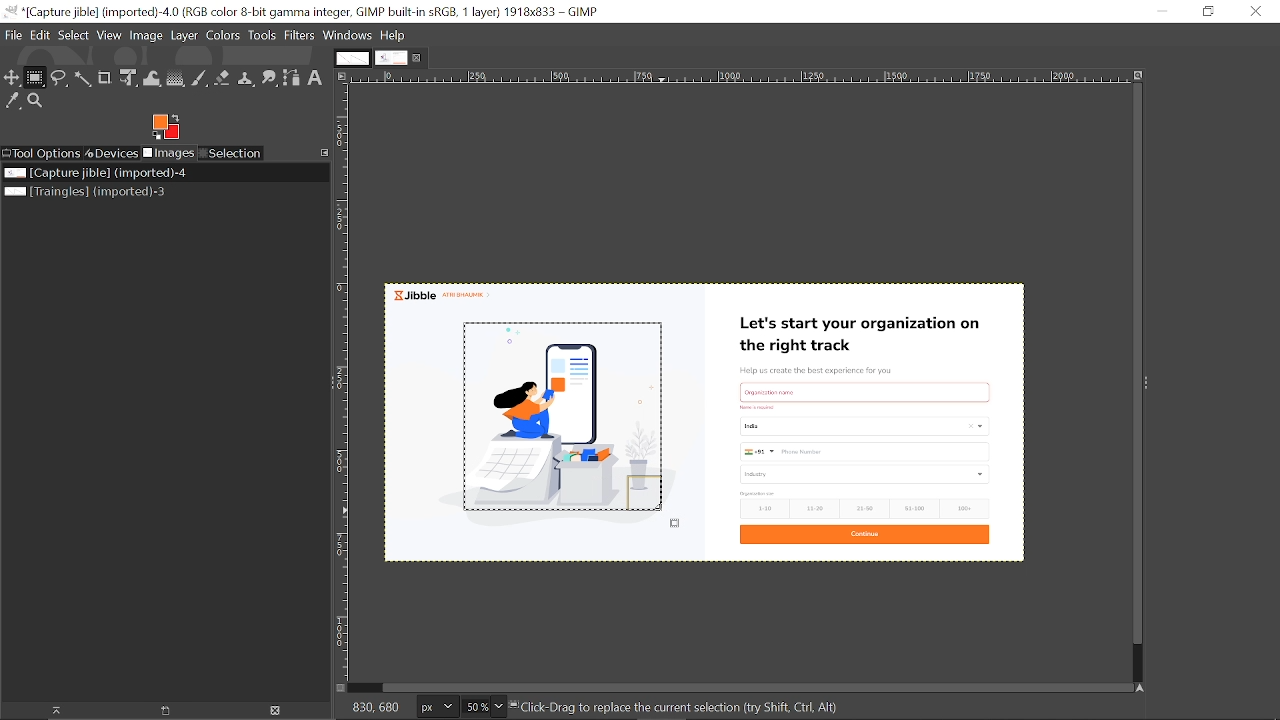  What do you see at coordinates (172, 154) in the screenshot?
I see `Images` at bounding box center [172, 154].